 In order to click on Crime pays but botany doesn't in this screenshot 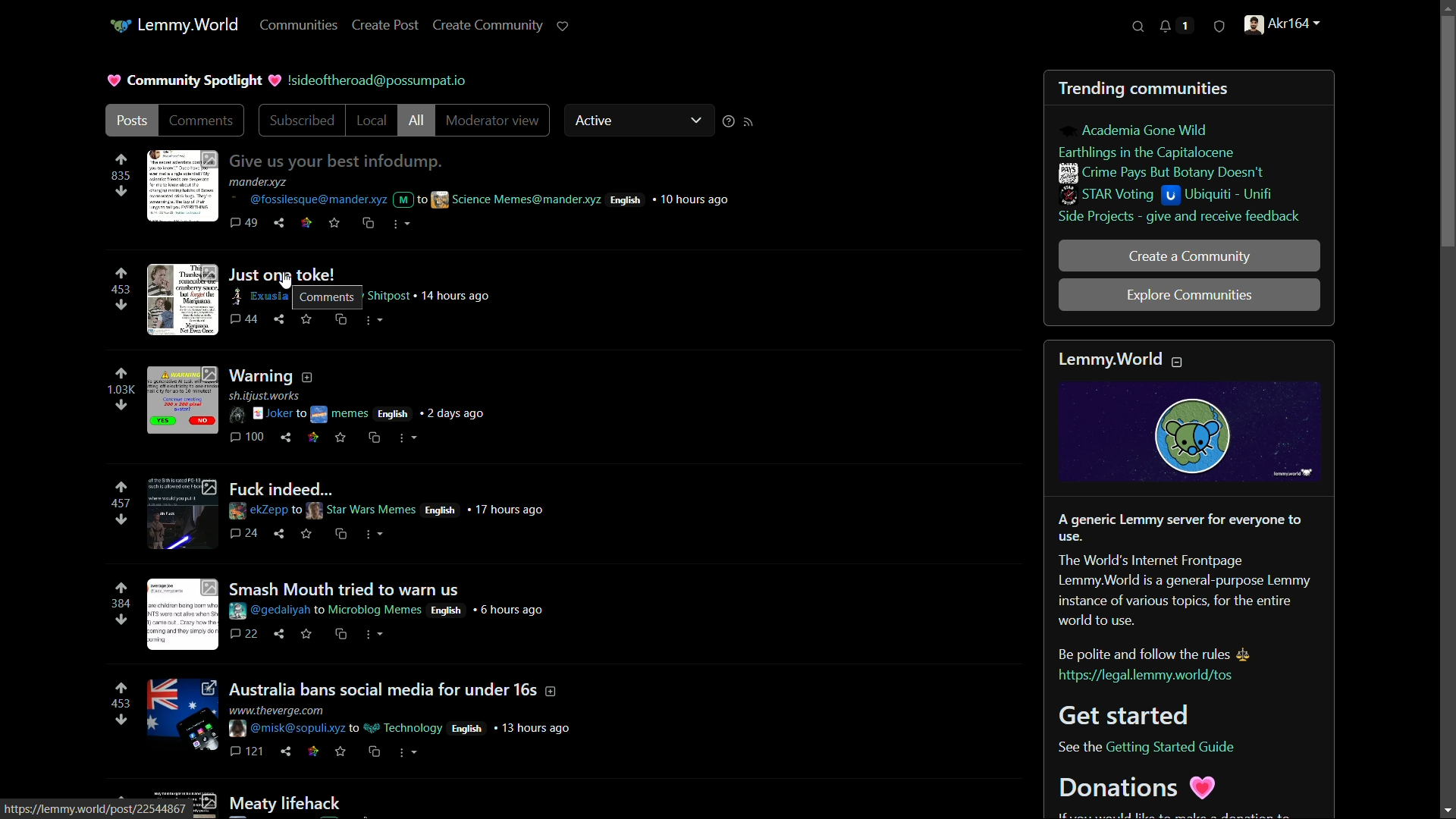, I will do `click(1163, 174)`.